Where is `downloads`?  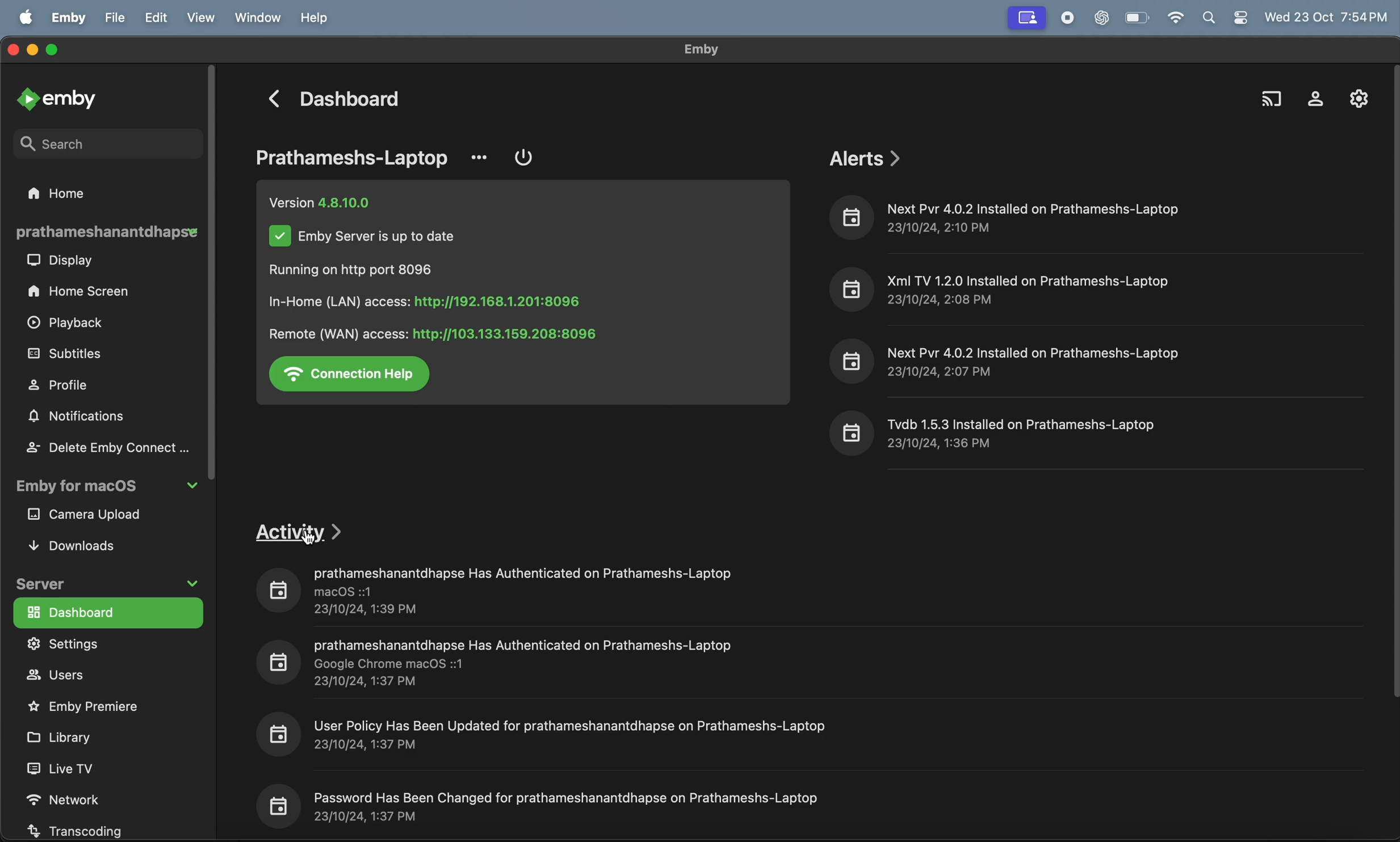
downloads is located at coordinates (84, 545).